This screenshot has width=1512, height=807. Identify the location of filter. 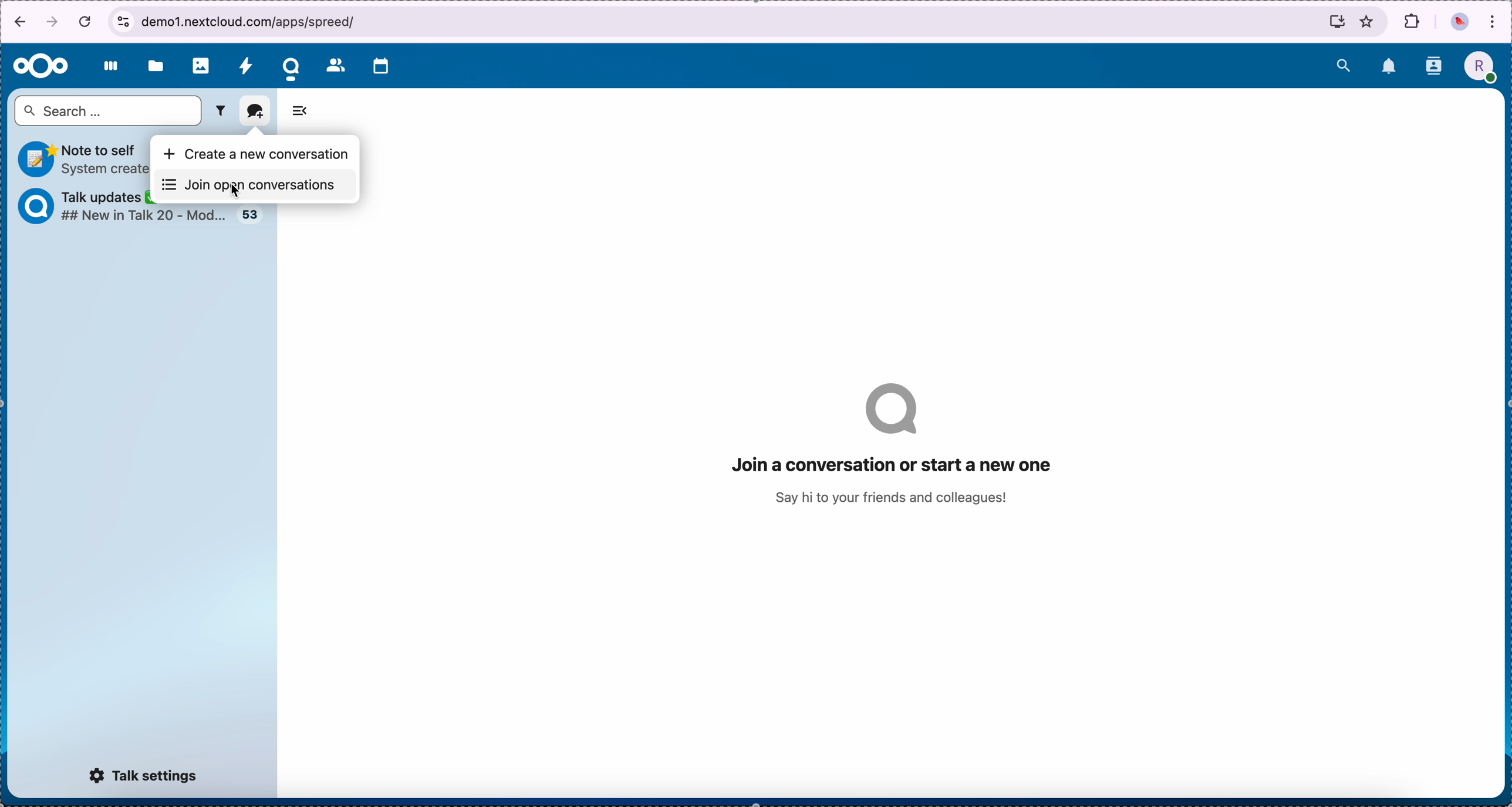
(220, 112).